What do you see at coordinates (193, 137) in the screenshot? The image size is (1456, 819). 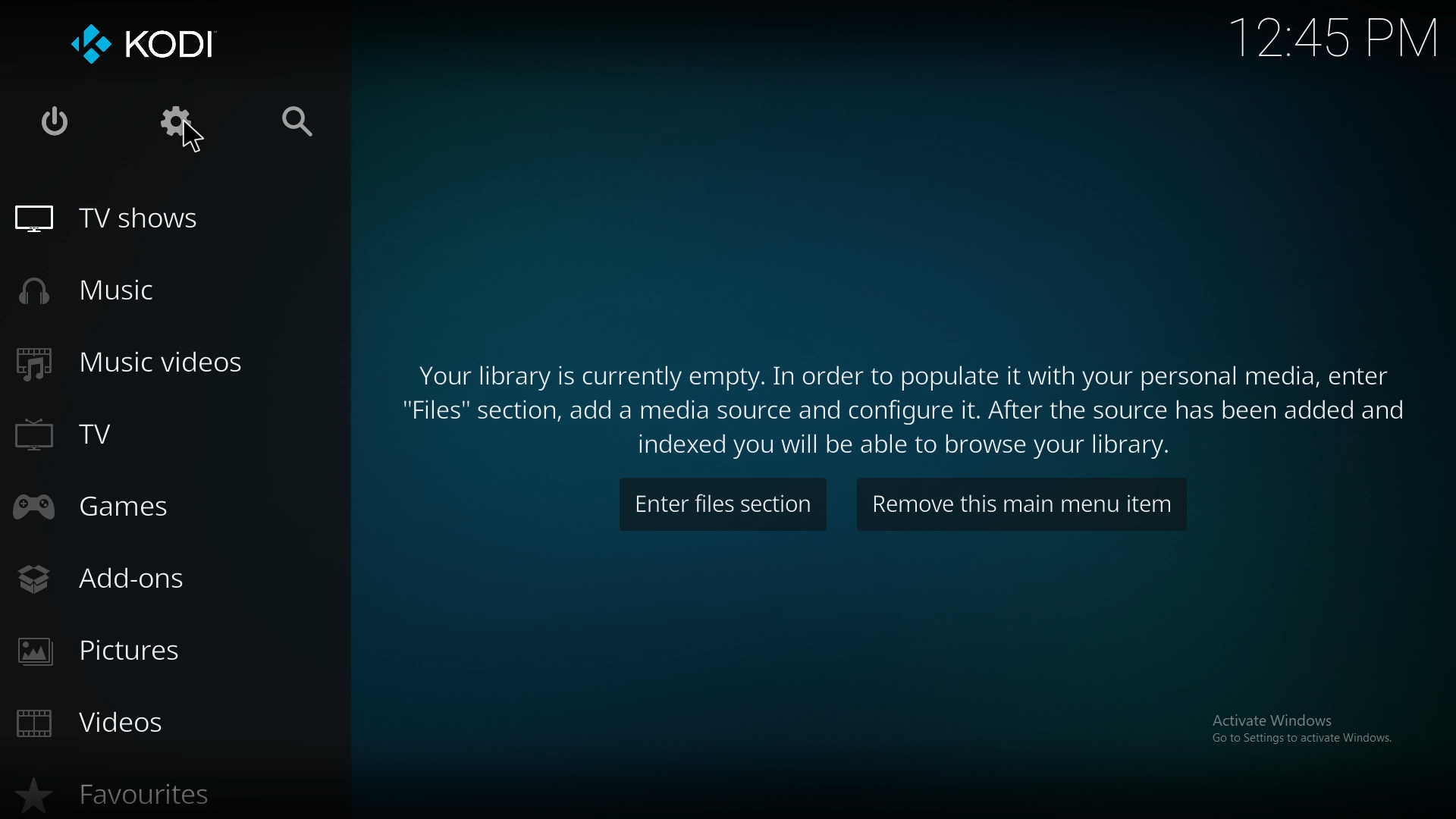 I see `cursor` at bounding box center [193, 137].